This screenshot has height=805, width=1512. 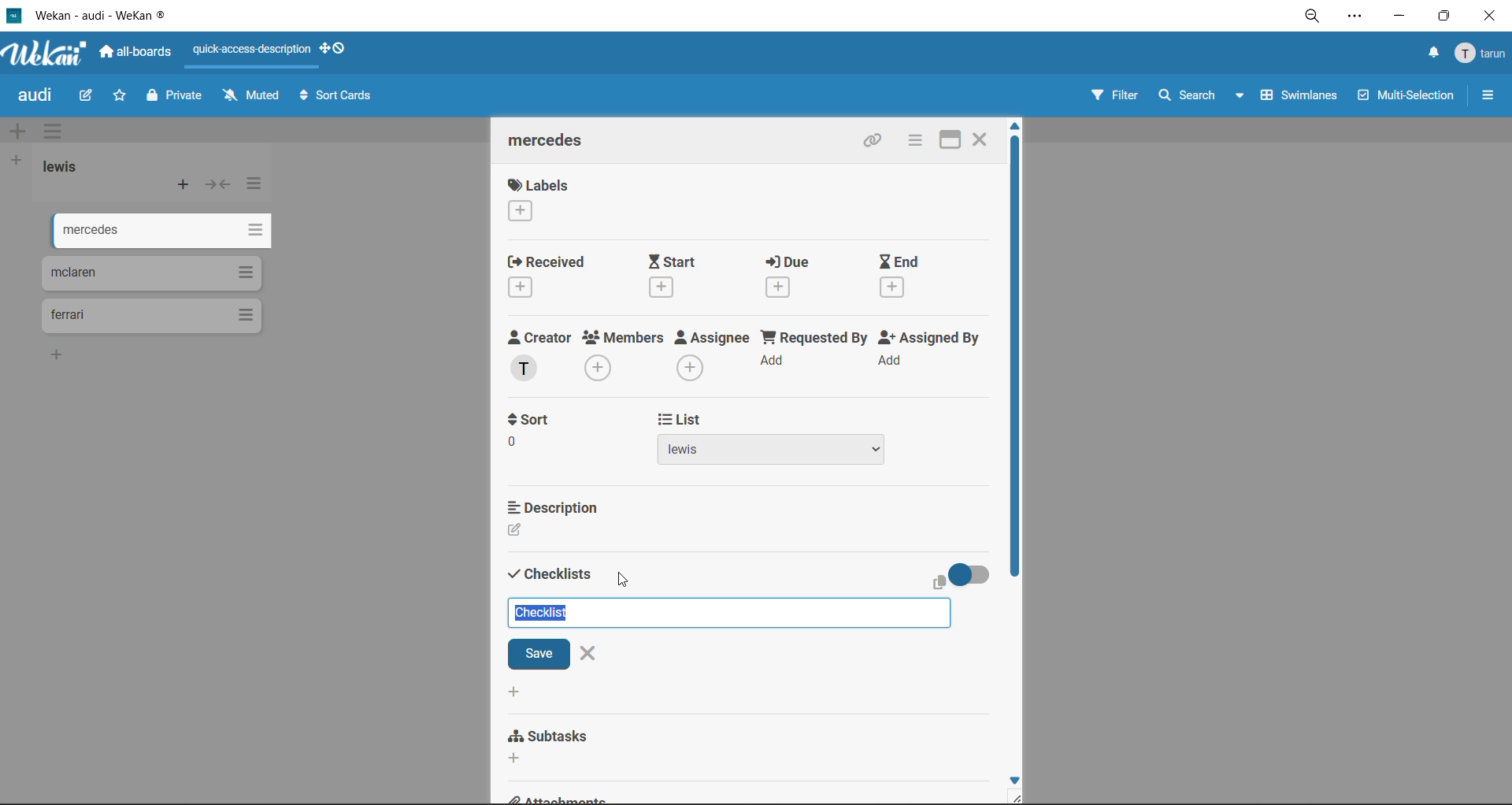 What do you see at coordinates (121, 99) in the screenshot?
I see `star` at bounding box center [121, 99].